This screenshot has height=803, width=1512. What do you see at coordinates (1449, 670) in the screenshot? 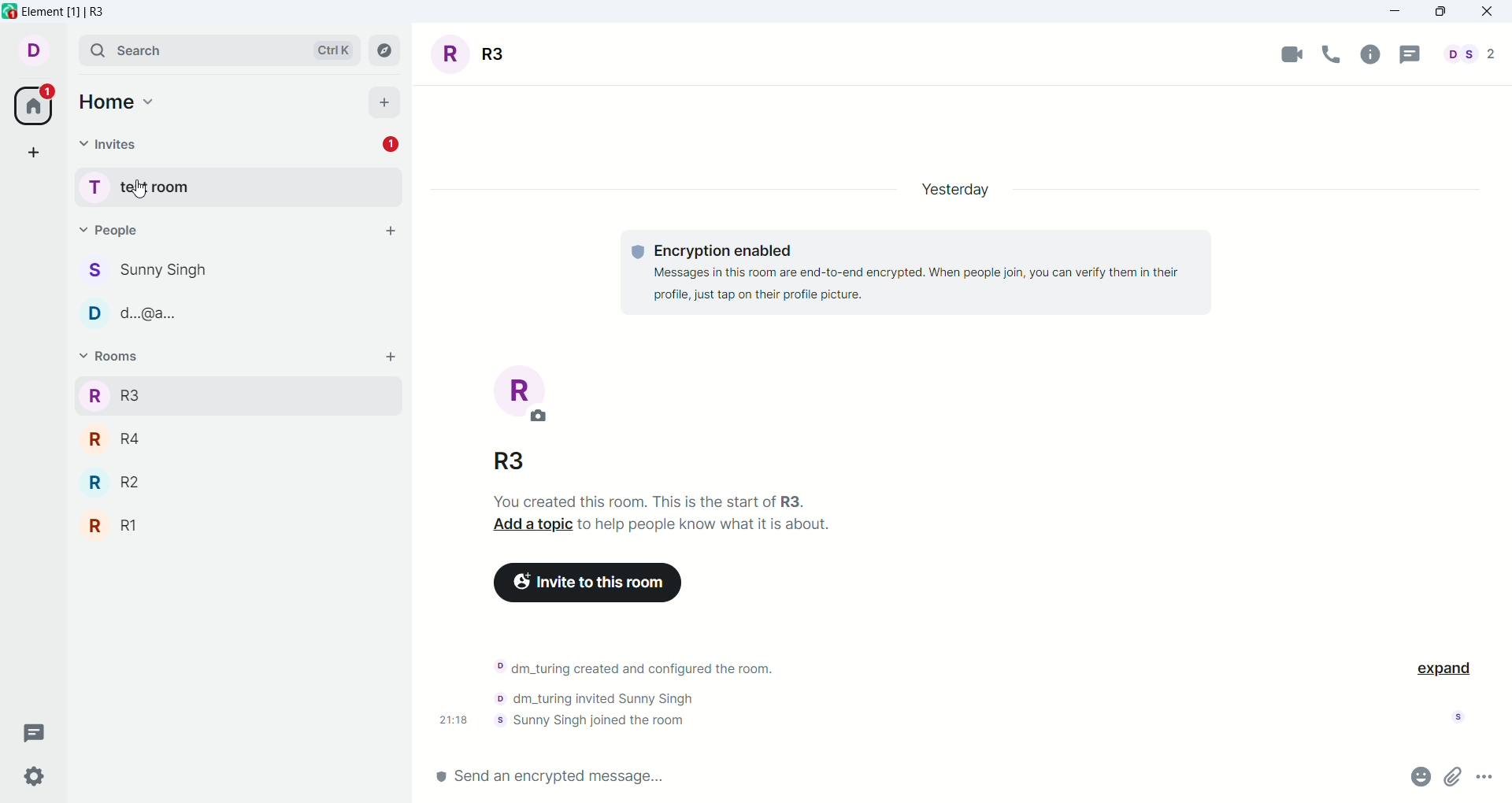
I see `expand` at bounding box center [1449, 670].